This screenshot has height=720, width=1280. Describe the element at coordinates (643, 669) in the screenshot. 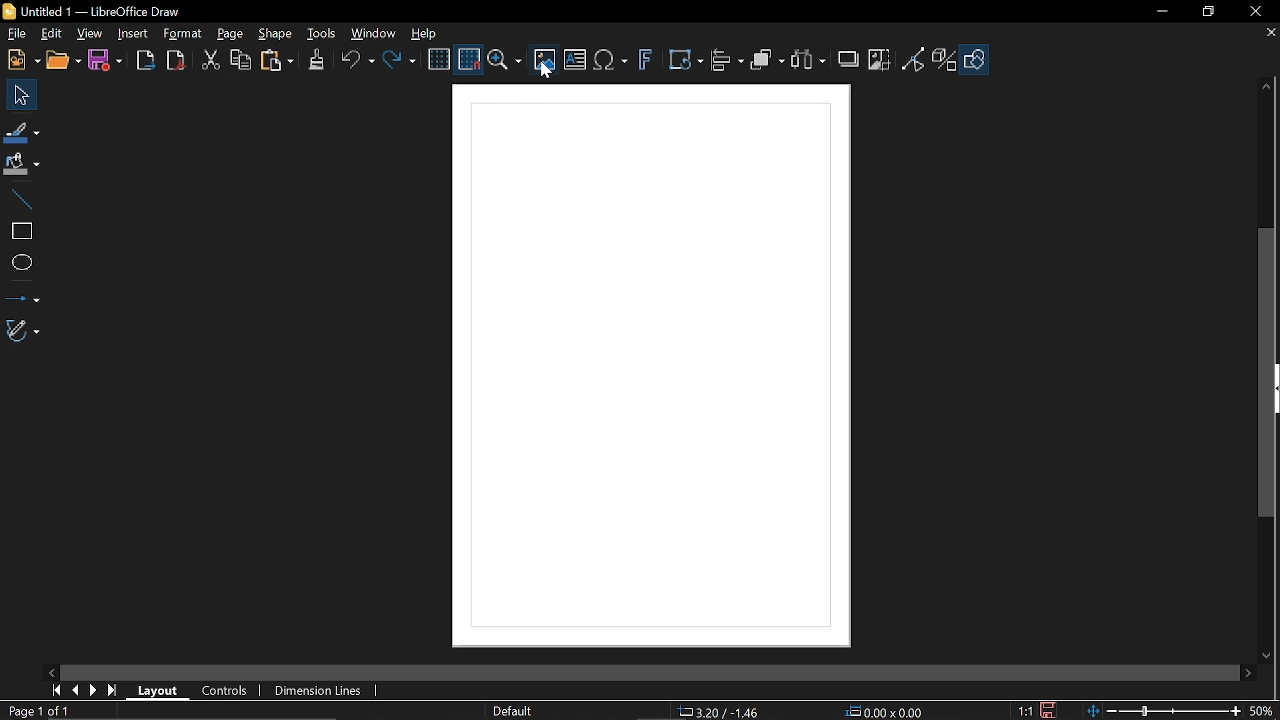

I see `horizontal slider` at that location.